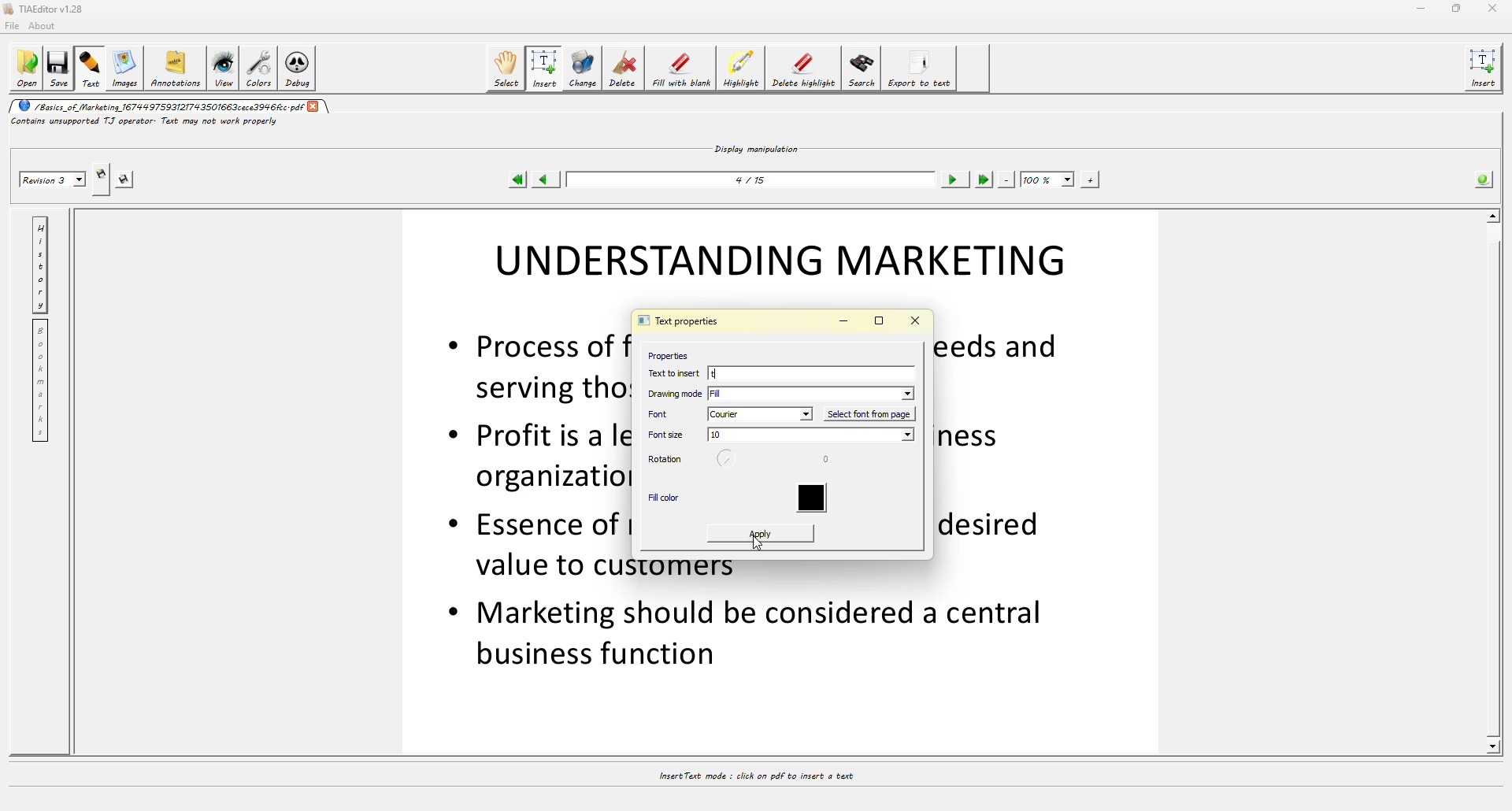  What do you see at coordinates (1493, 213) in the screenshot?
I see `scroll up` at bounding box center [1493, 213].